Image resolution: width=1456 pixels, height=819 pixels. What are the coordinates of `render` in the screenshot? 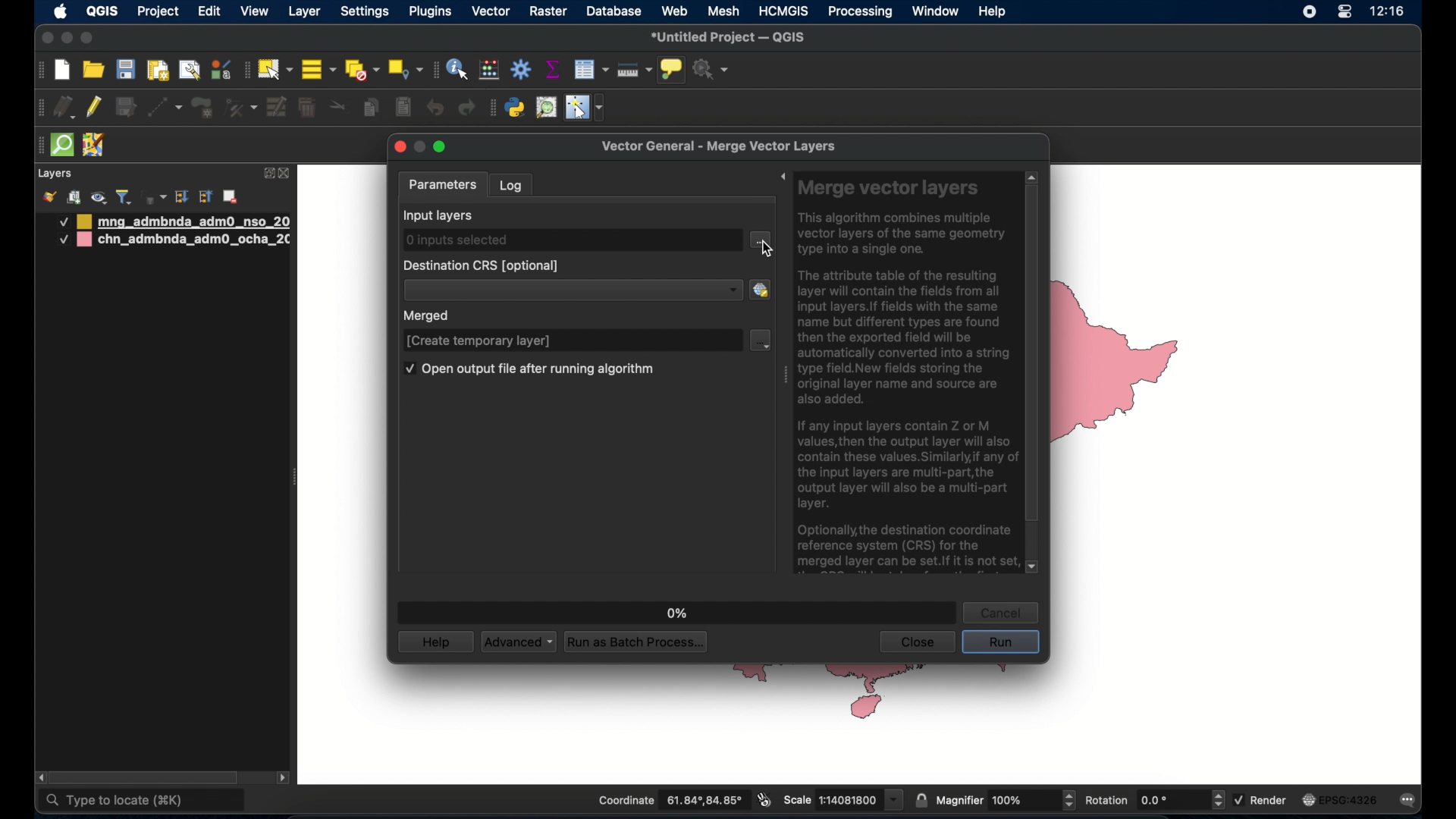 It's located at (1262, 799).